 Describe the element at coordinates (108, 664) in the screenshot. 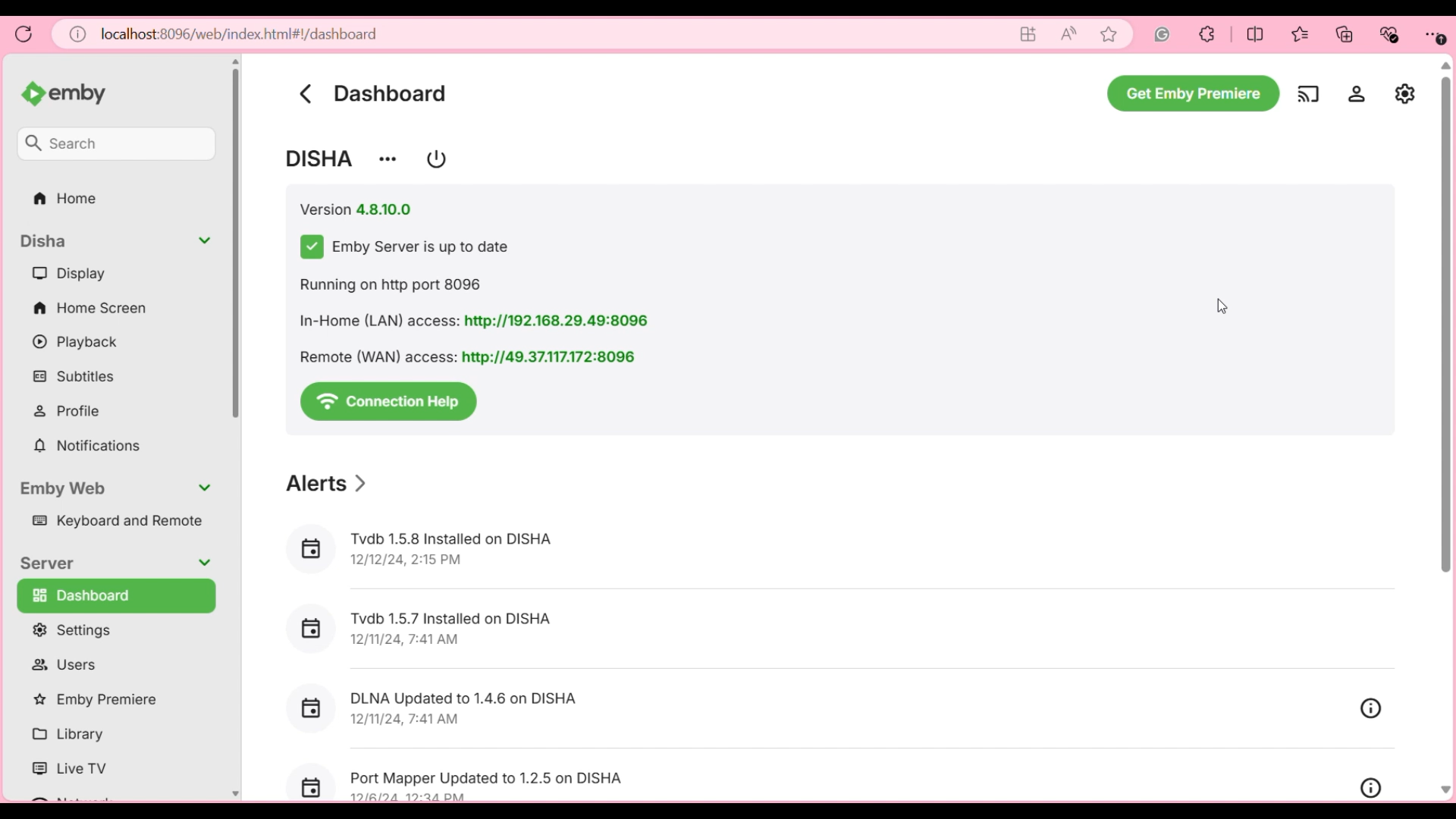

I see `Users` at that location.